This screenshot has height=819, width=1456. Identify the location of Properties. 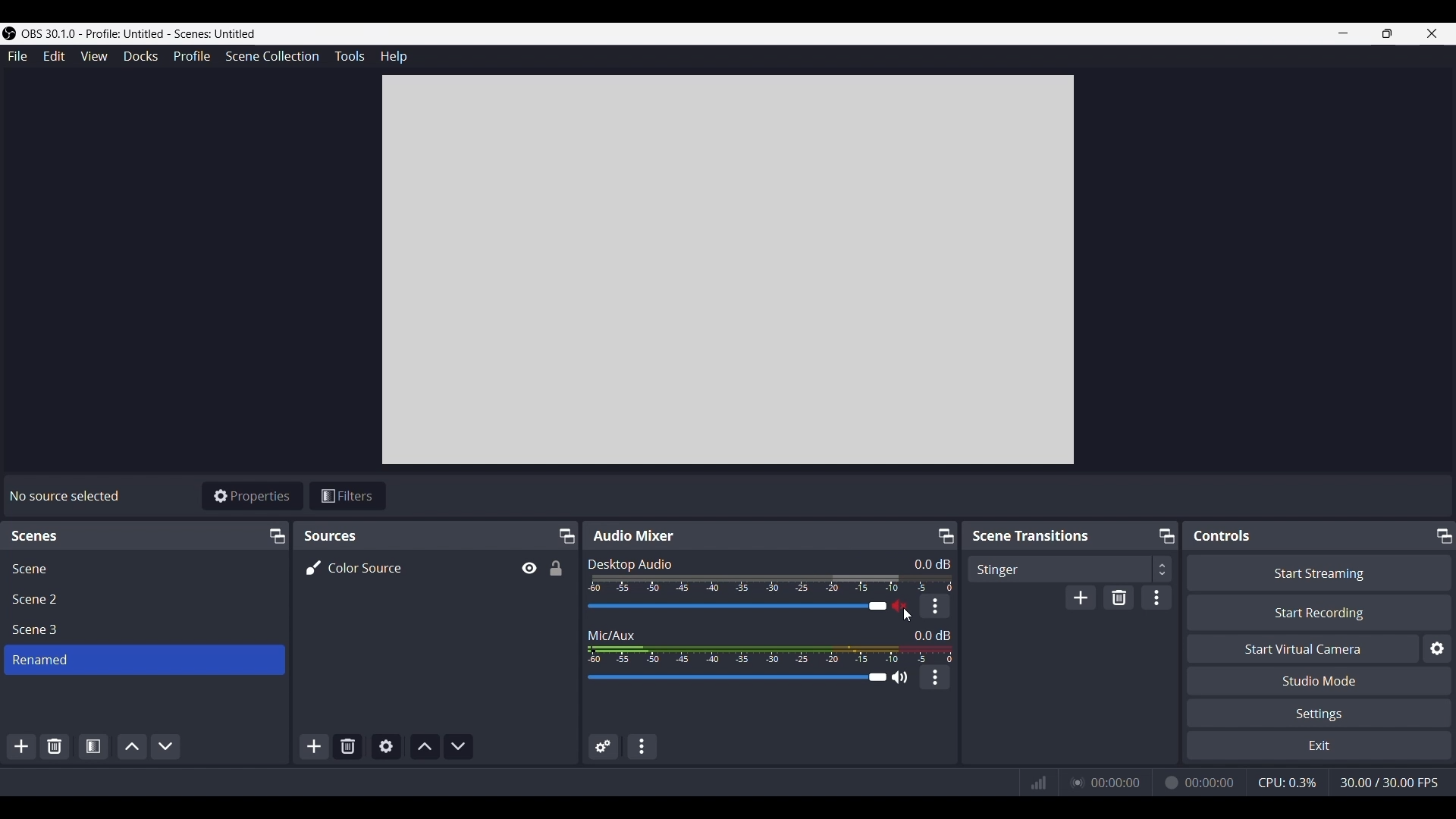
(253, 495).